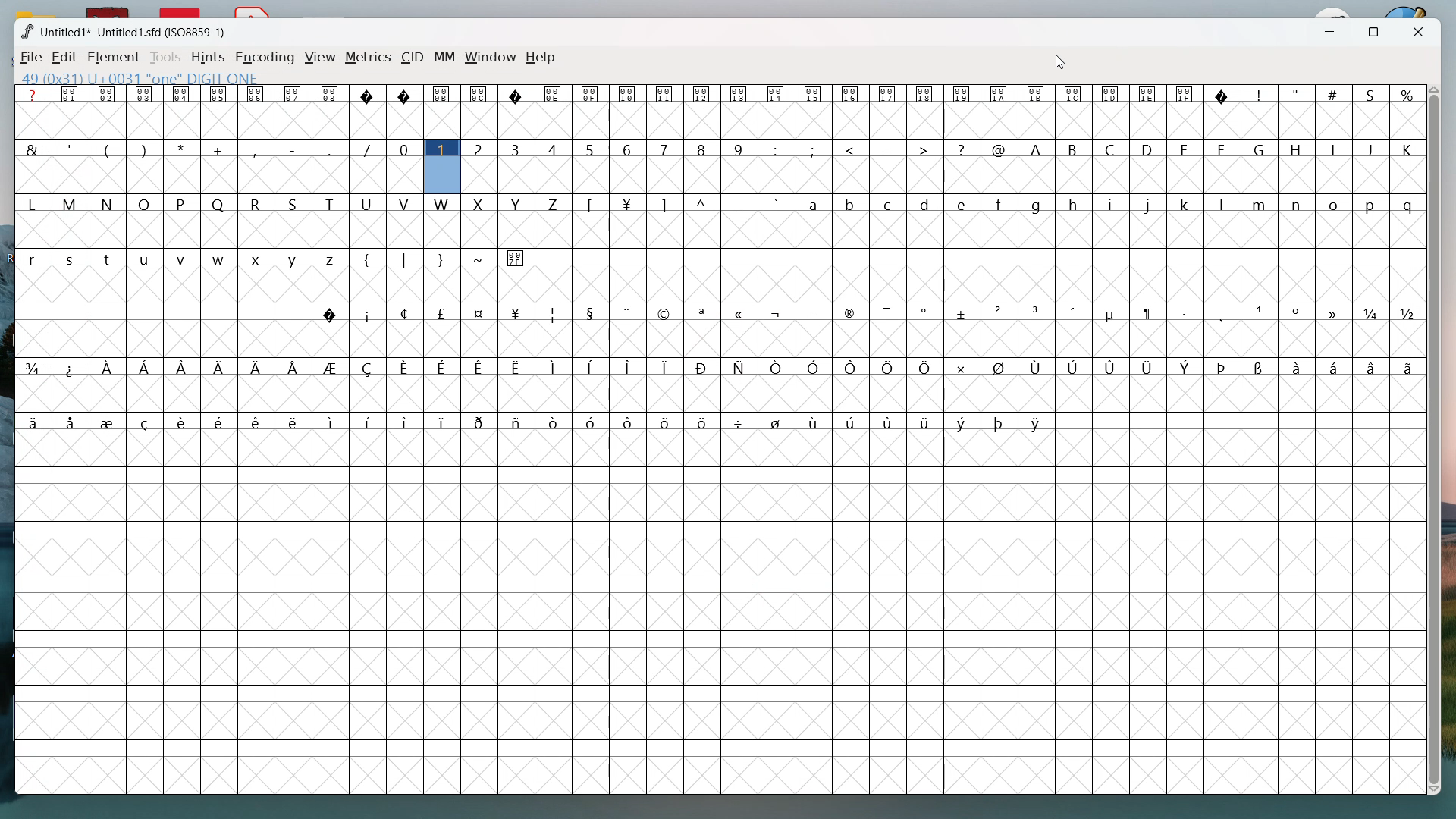 This screenshot has height=819, width=1456. What do you see at coordinates (334, 368) in the screenshot?
I see `symbol` at bounding box center [334, 368].